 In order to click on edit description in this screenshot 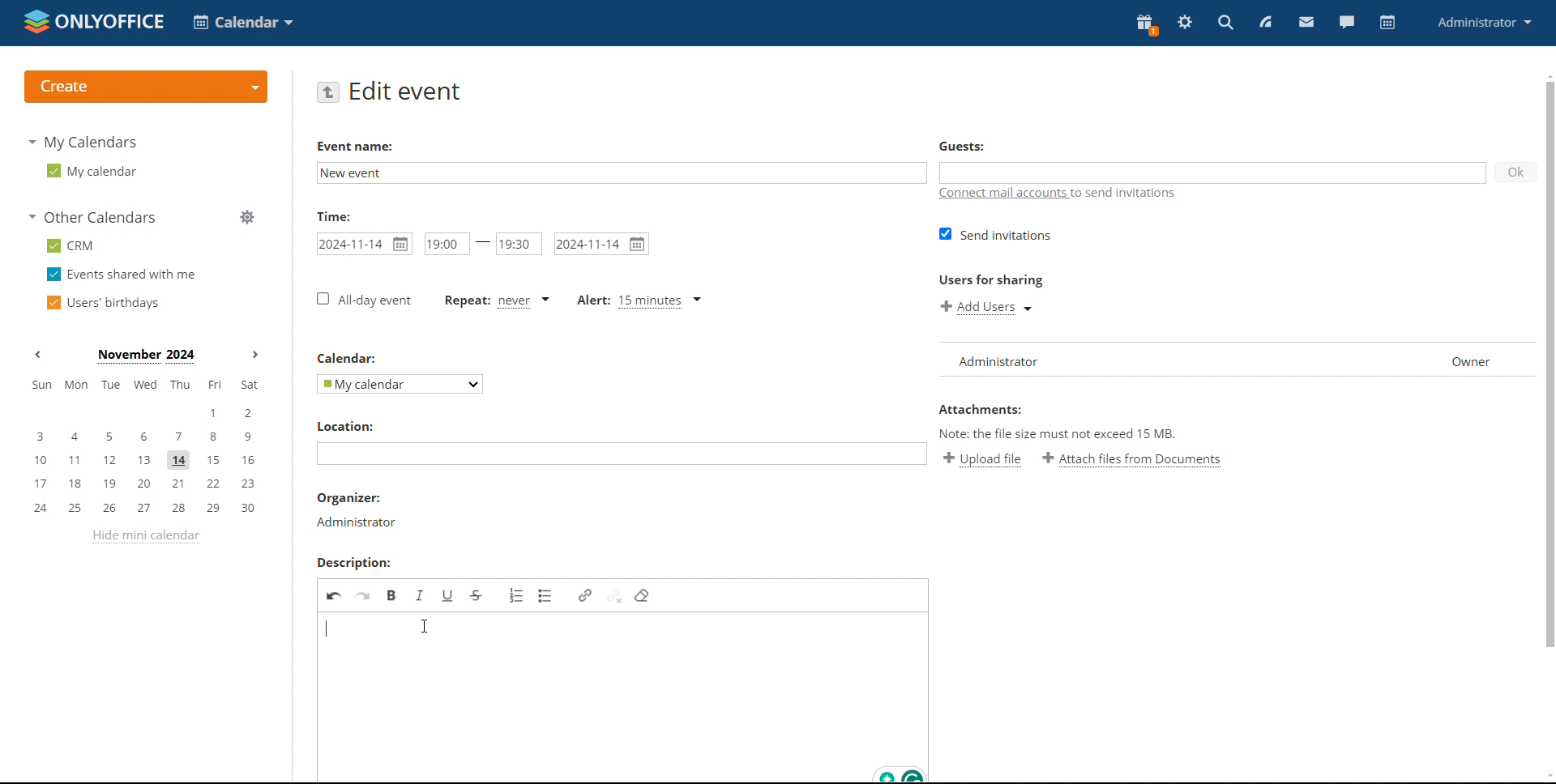, I will do `click(626, 696)`.